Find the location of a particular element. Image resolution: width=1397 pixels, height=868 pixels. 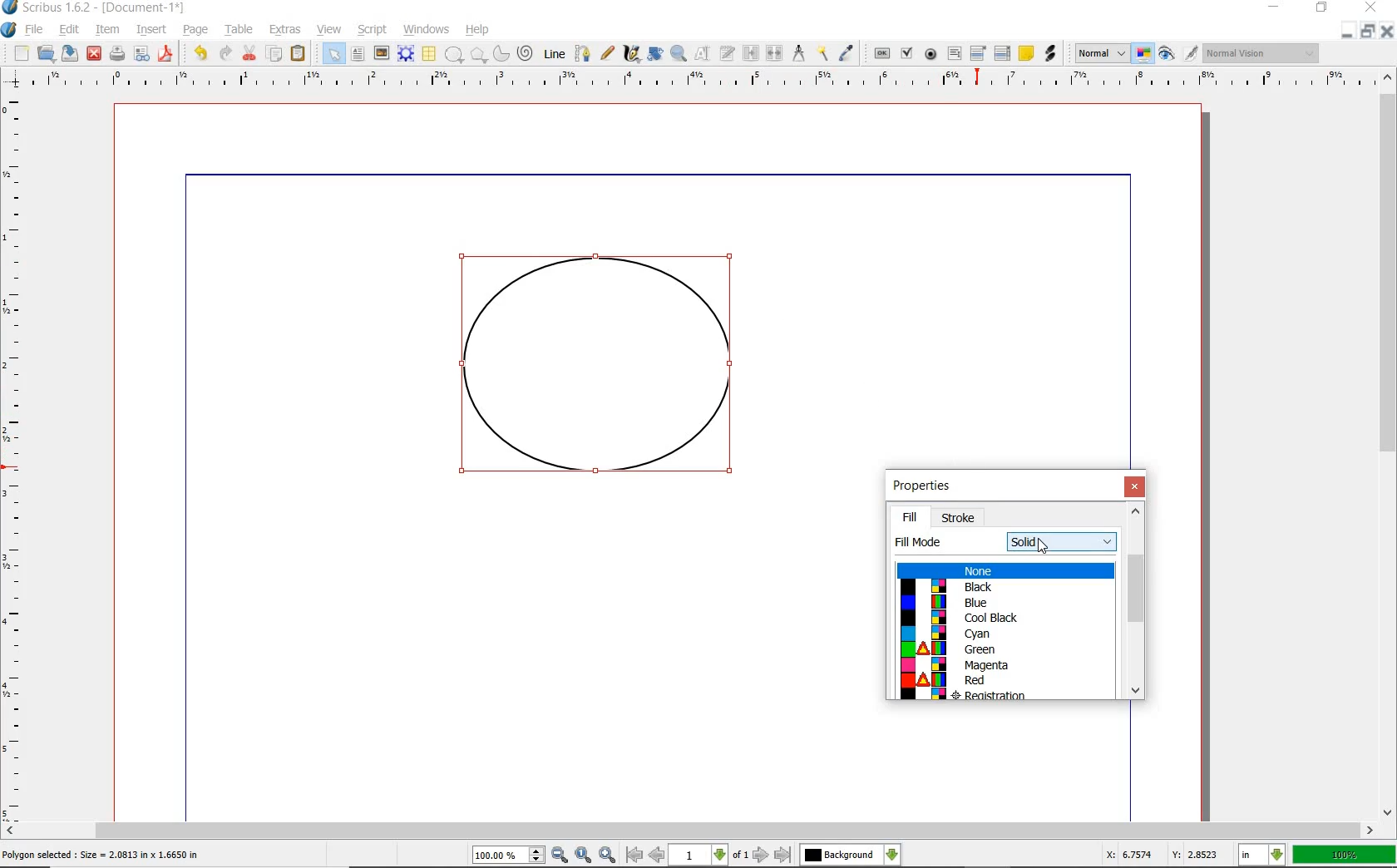

colorcolor is located at coordinates (1006, 694).